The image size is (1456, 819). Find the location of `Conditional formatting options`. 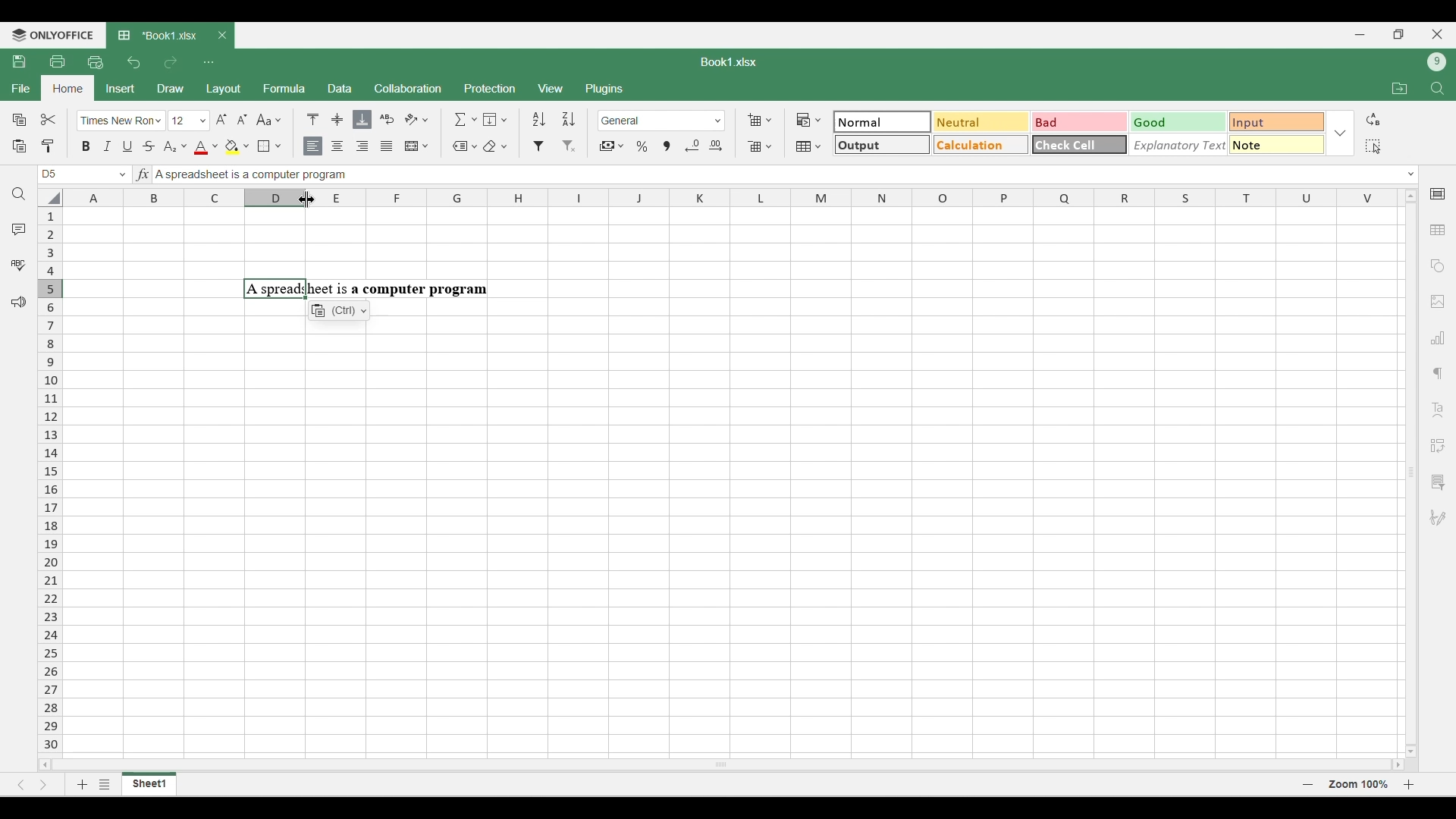

Conditional formatting options is located at coordinates (809, 120).